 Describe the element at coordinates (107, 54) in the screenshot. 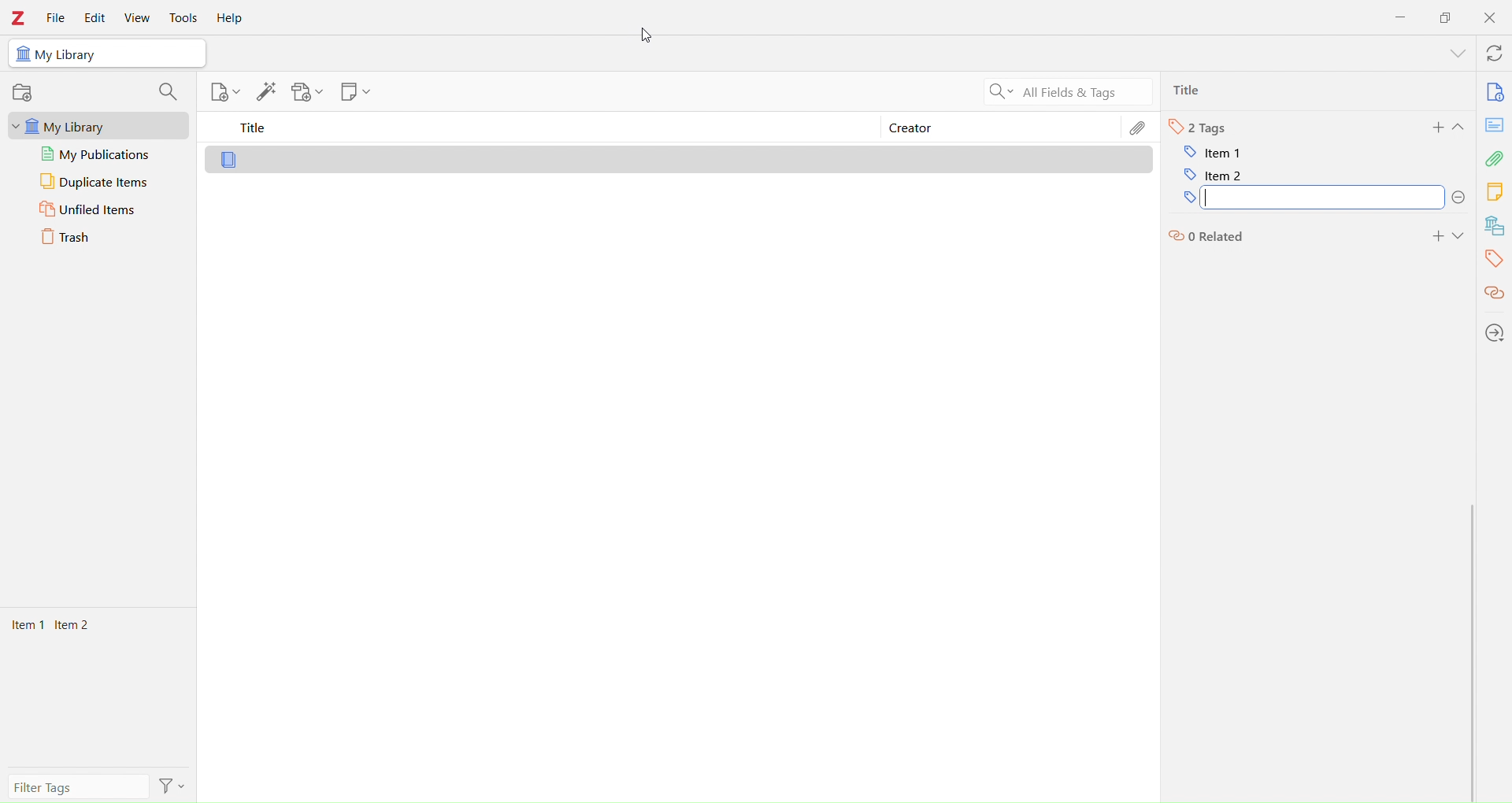

I see `My Library` at that location.